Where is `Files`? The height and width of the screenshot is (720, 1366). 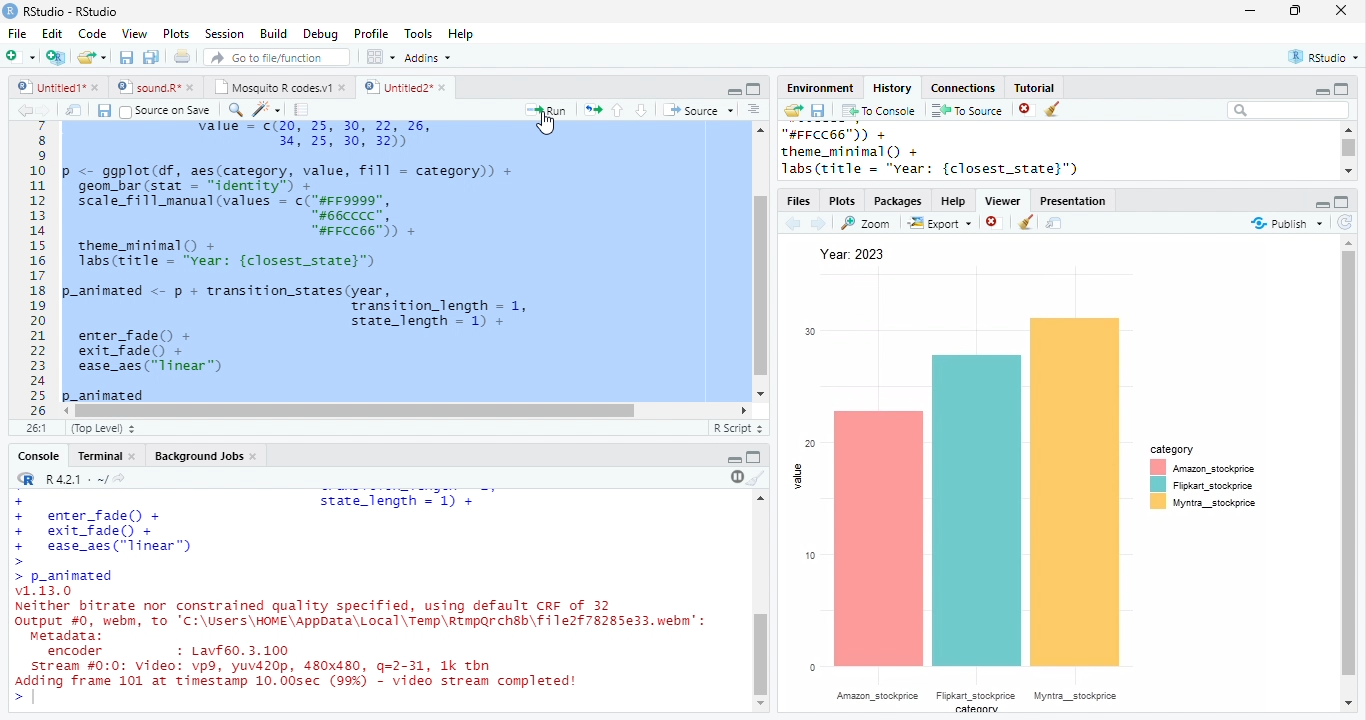
Files is located at coordinates (798, 201).